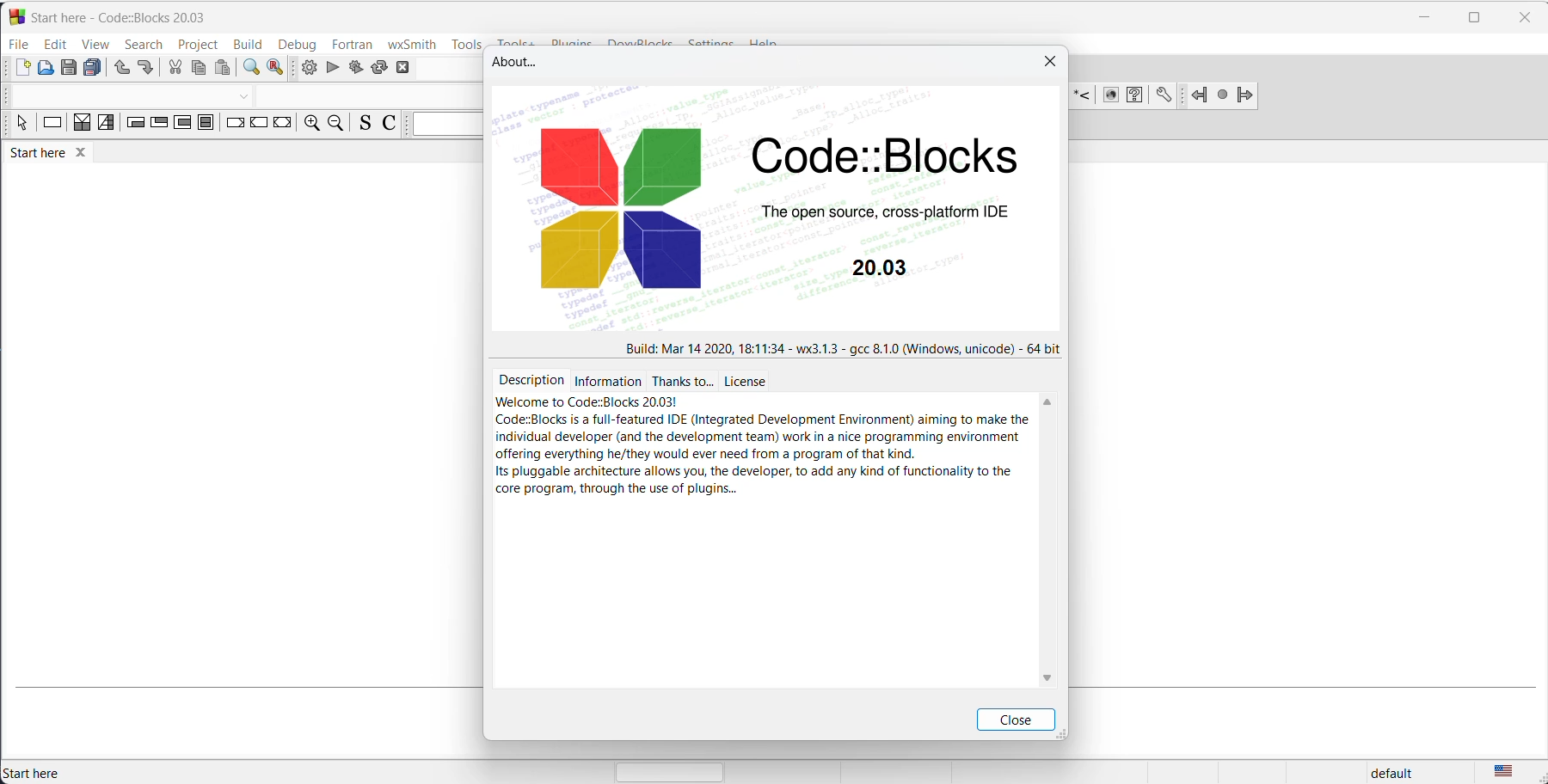 Image resolution: width=1548 pixels, height=784 pixels. What do you see at coordinates (135, 126) in the screenshot?
I see `entry condition loop` at bounding box center [135, 126].